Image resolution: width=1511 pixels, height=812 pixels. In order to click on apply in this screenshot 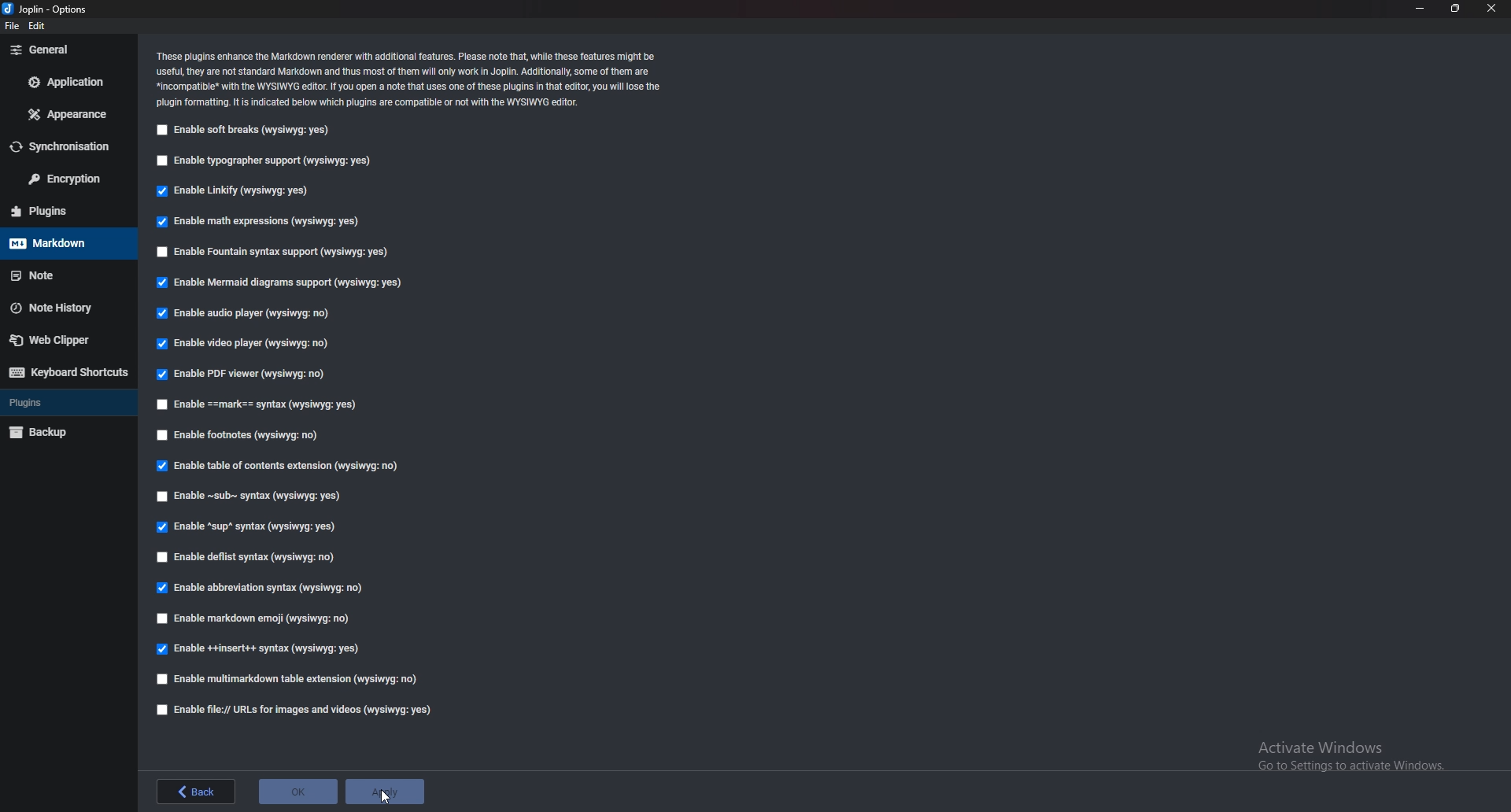, I will do `click(390, 792)`.